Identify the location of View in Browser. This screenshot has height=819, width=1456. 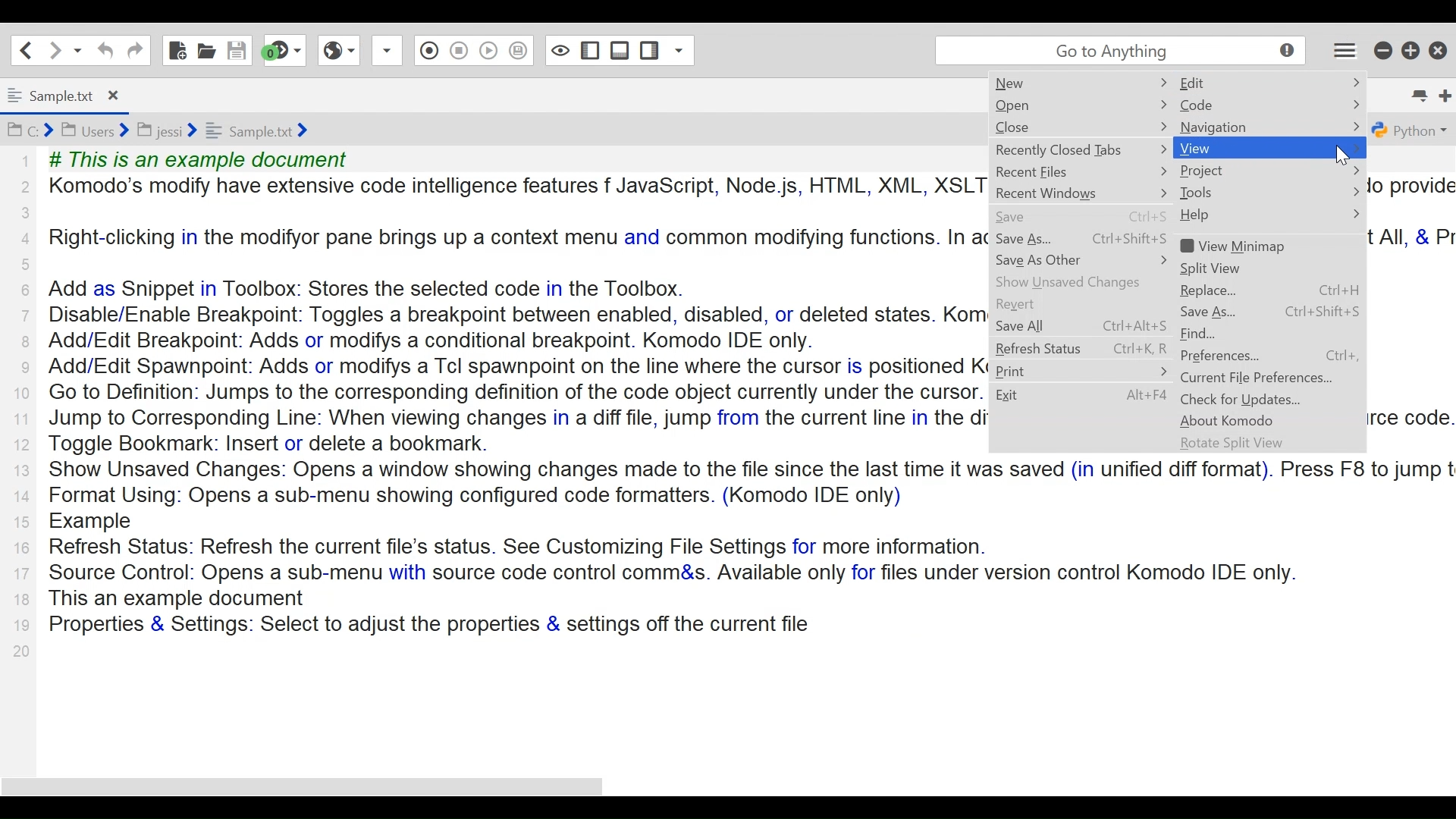
(339, 50).